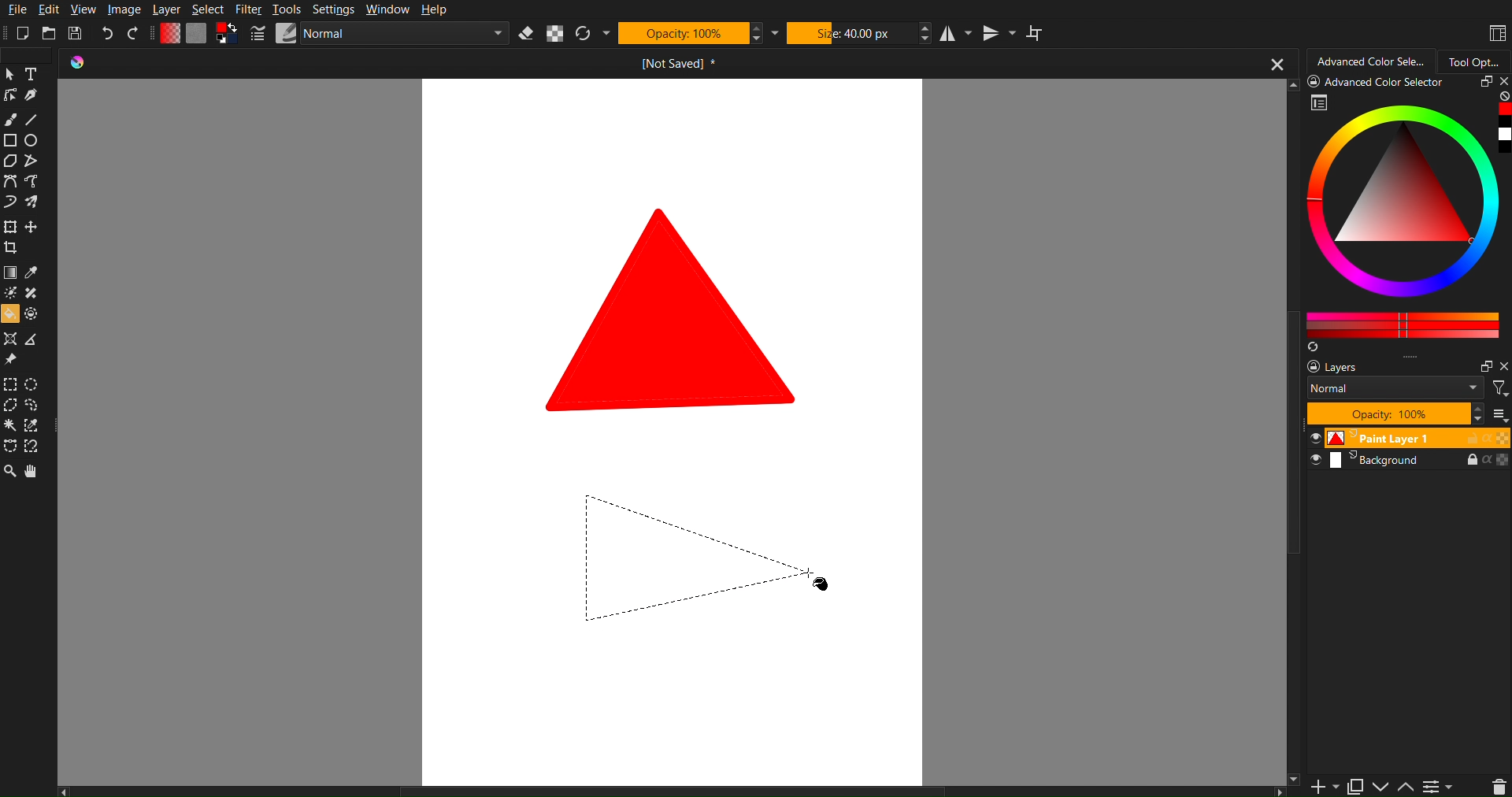 Image resolution: width=1512 pixels, height=797 pixels. Describe the element at coordinates (34, 315) in the screenshot. I see `dotted` at that location.